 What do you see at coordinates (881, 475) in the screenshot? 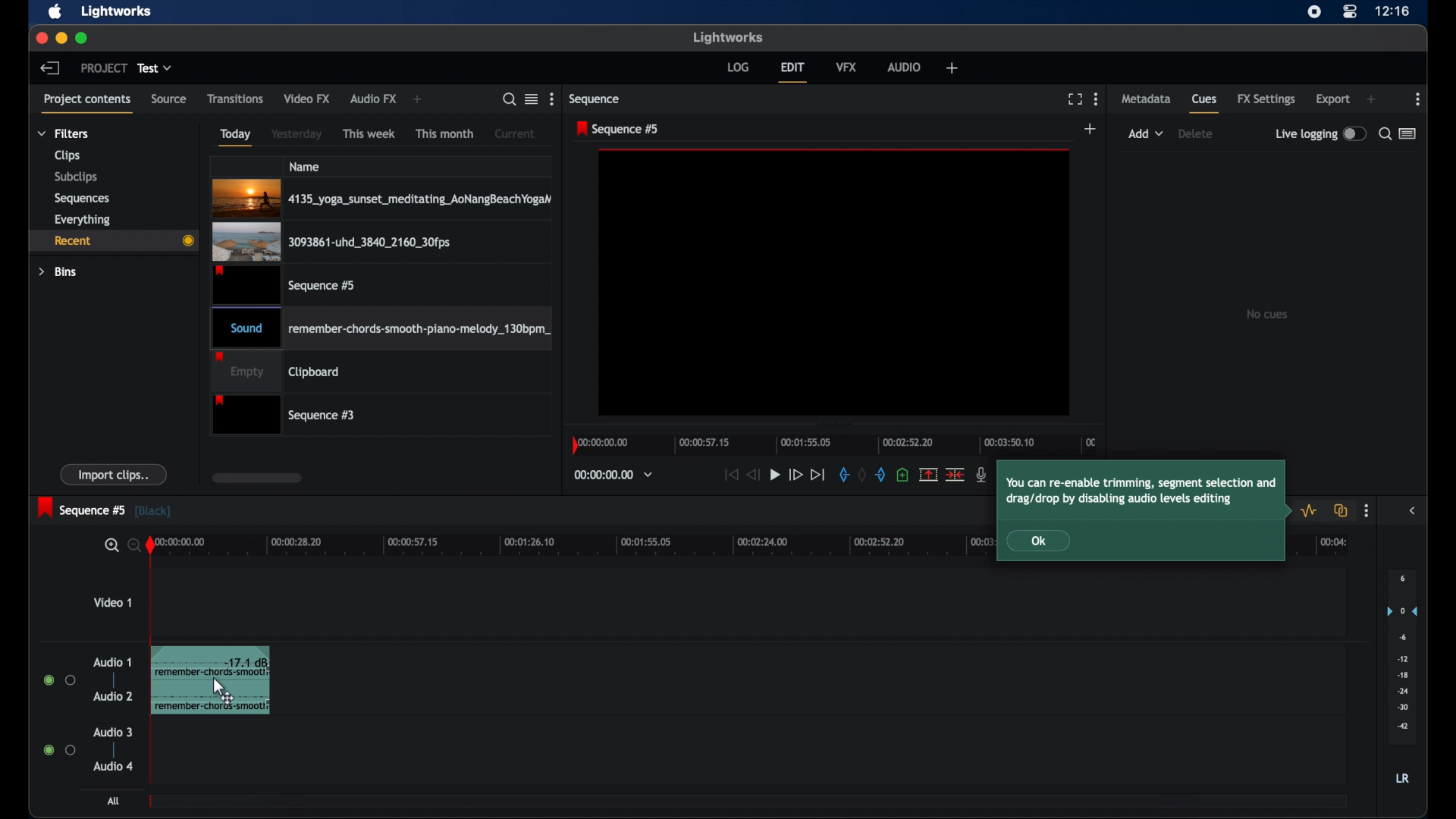
I see `out mark` at bounding box center [881, 475].